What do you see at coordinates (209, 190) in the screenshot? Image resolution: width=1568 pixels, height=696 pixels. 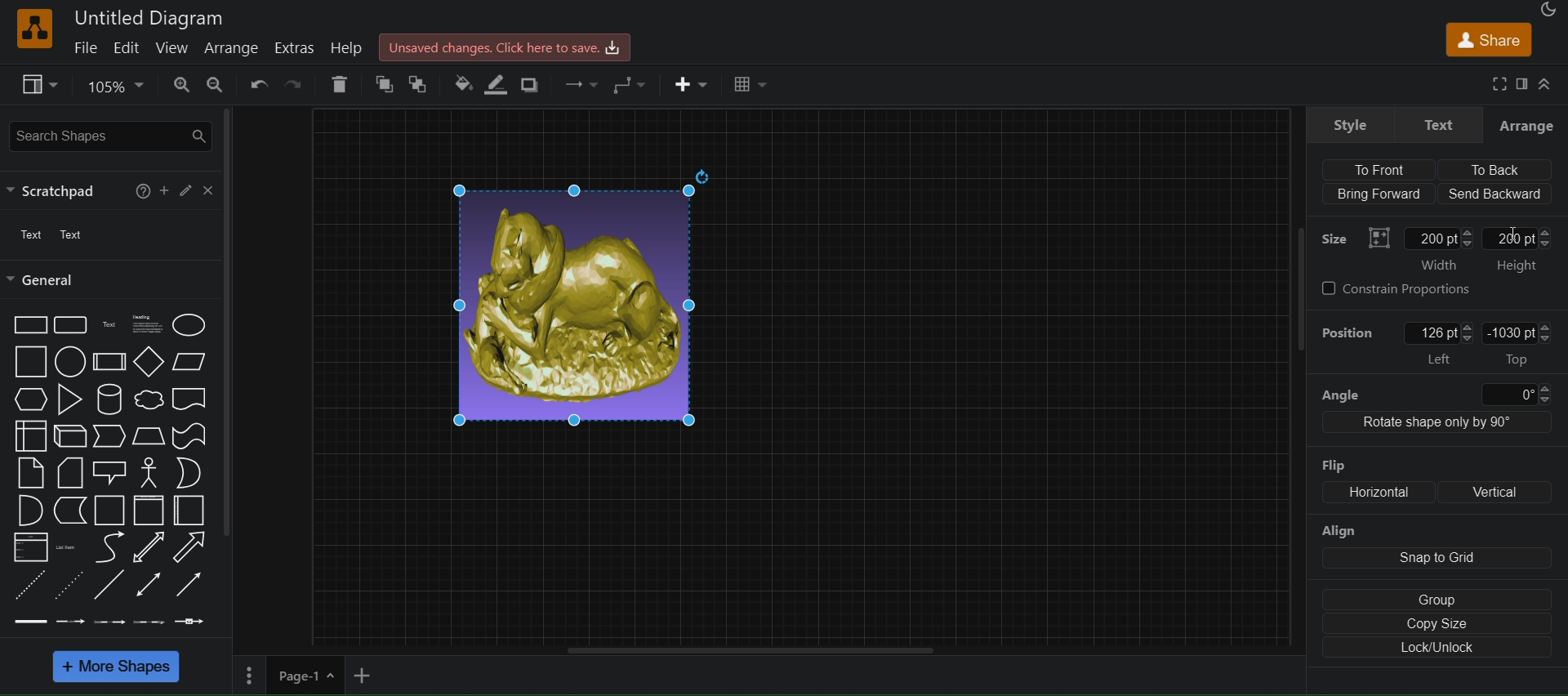 I see `close` at bounding box center [209, 190].